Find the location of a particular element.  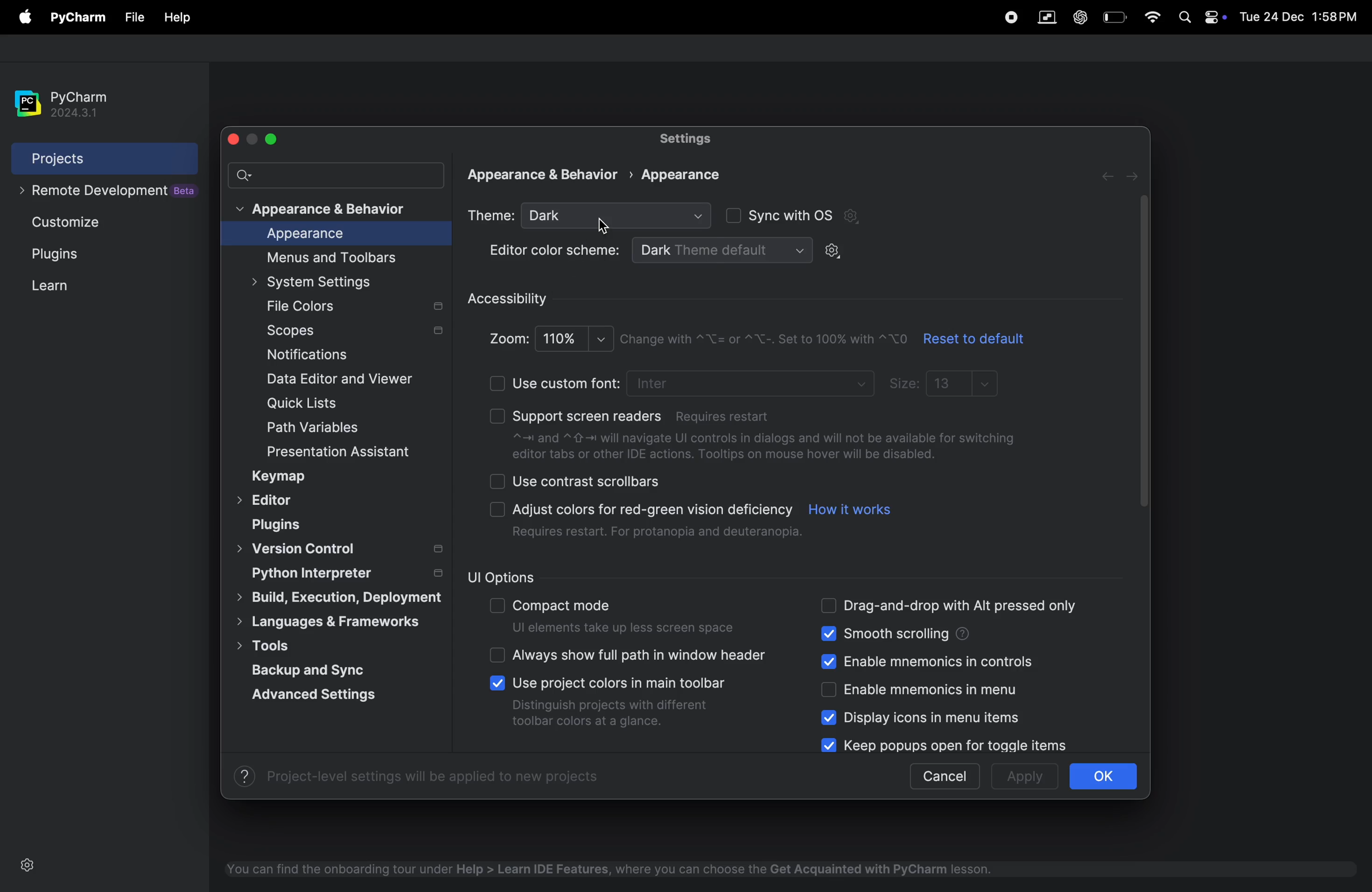

enable mnemonic in controls is located at coordinates (946, 663).